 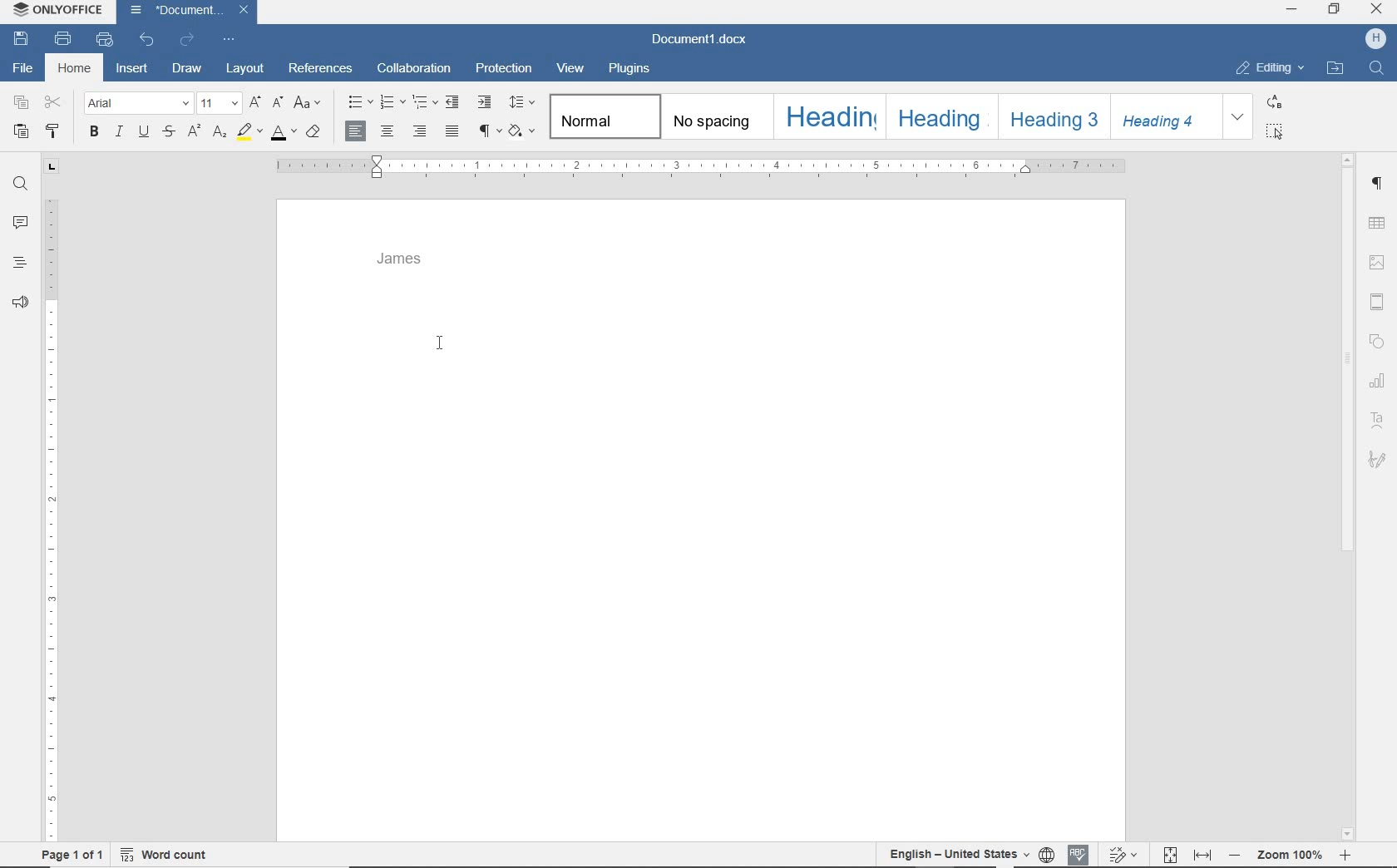 What do you see at coordinates (1269, 68) in the screenshot?
I see `EDITING` at bounding box center [1269, 68].